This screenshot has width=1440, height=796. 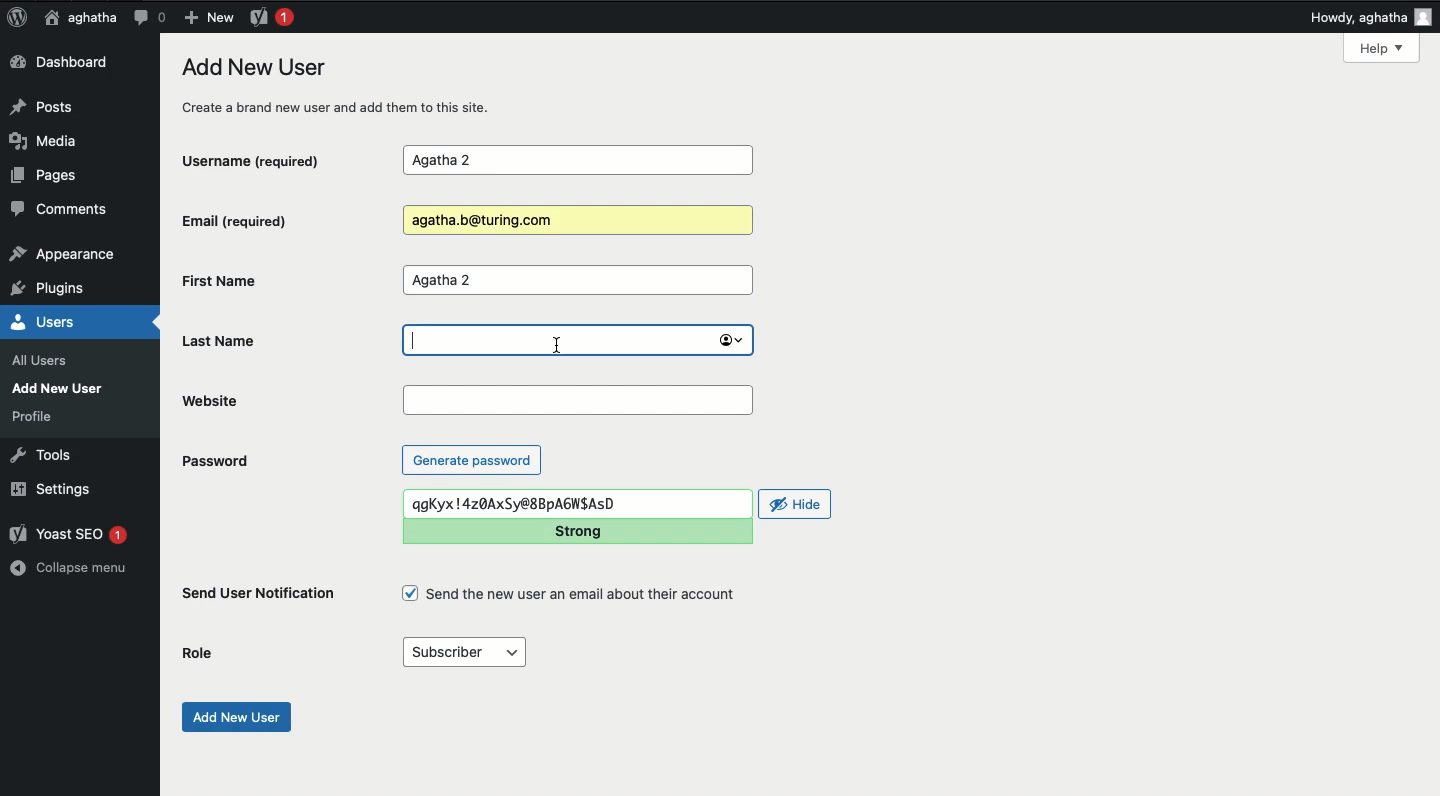 I want to click on Username (required), so click(x=273, y=159).